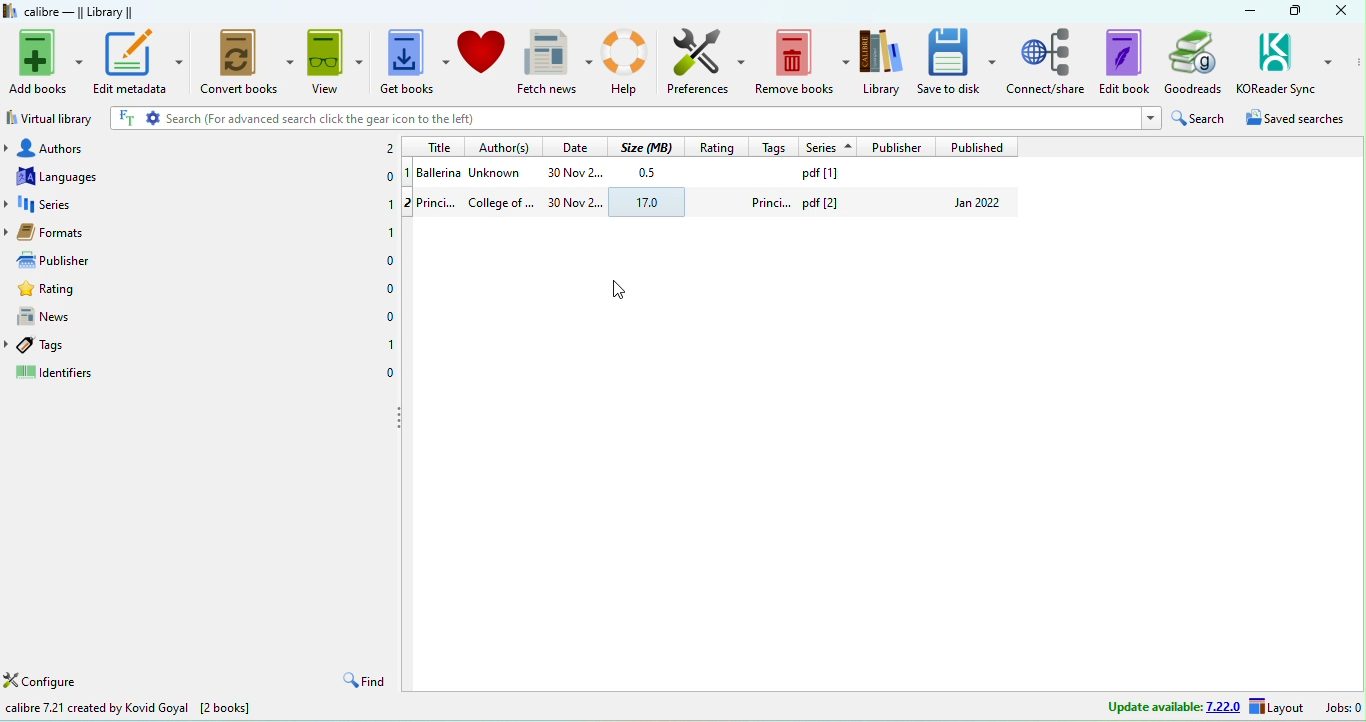 This screenshot has width=1366, height=722. I want to click on 1, so click(389, 232).